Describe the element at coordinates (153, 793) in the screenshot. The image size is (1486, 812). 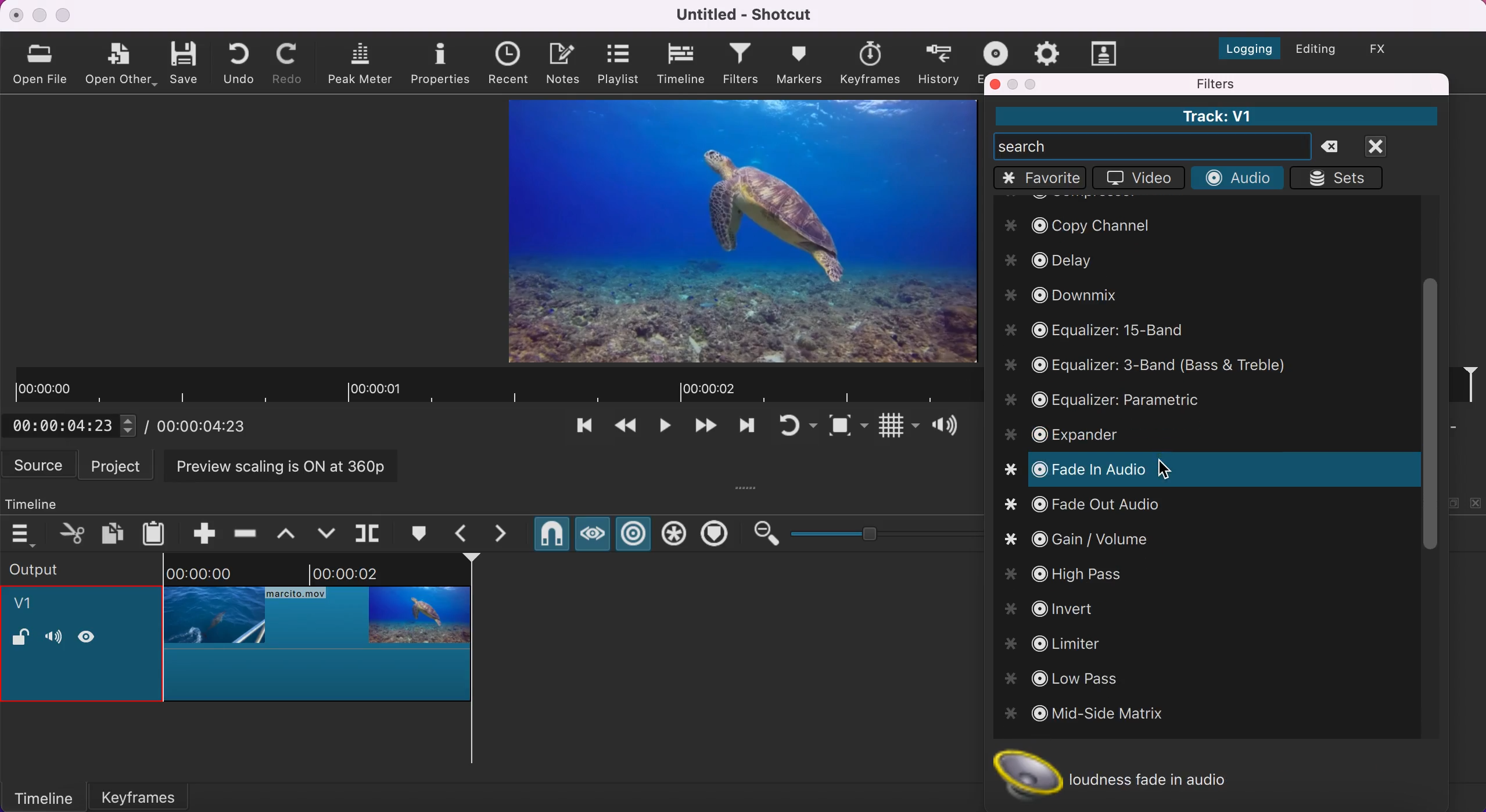
I see `keyframes` at that location.